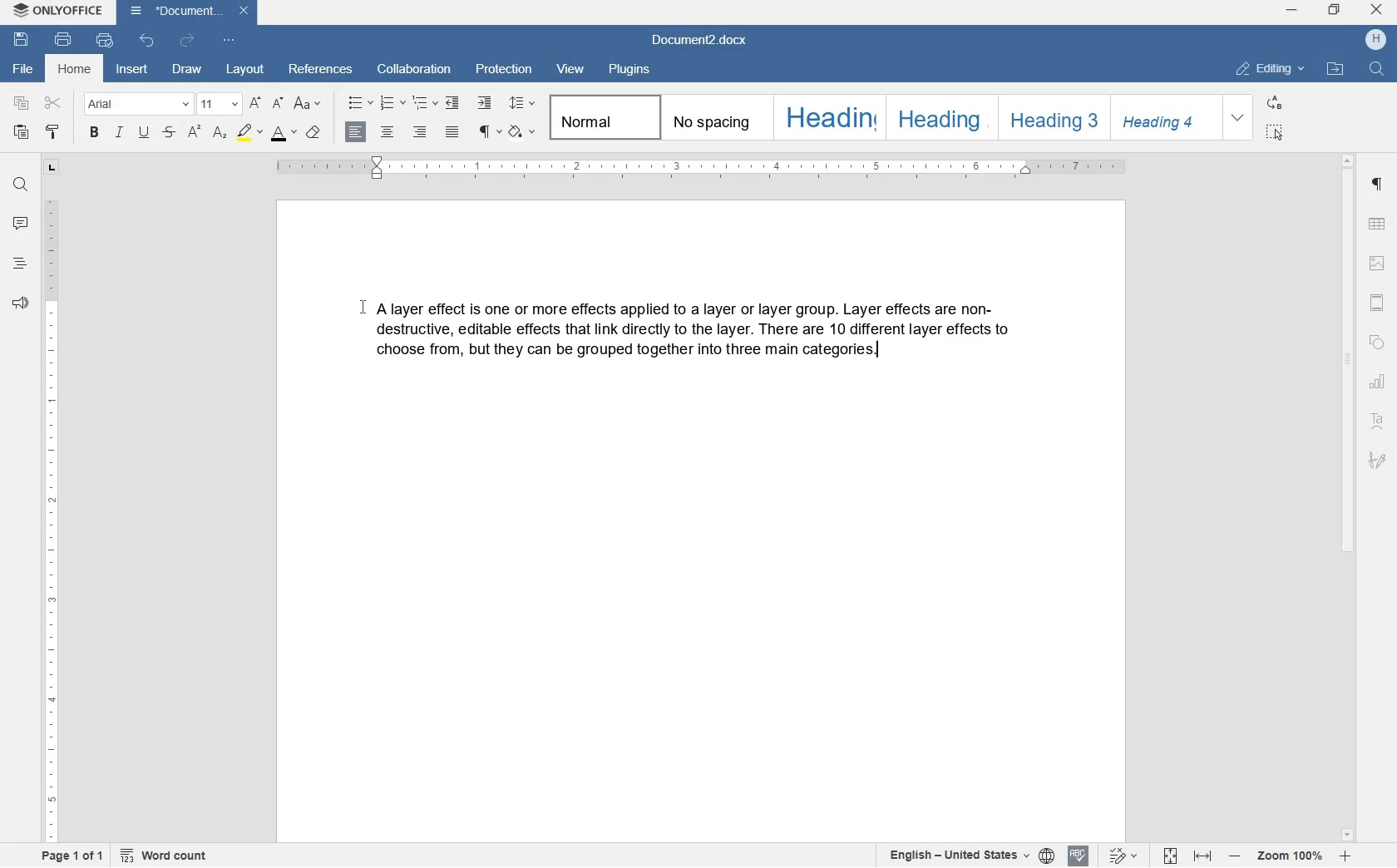 Image resolution: width=1397 pixels, height=868 pixels. What do you see at coordinates (1276, 104) in the screenshot?
I see `replace` at bounding box center [1276, 104].